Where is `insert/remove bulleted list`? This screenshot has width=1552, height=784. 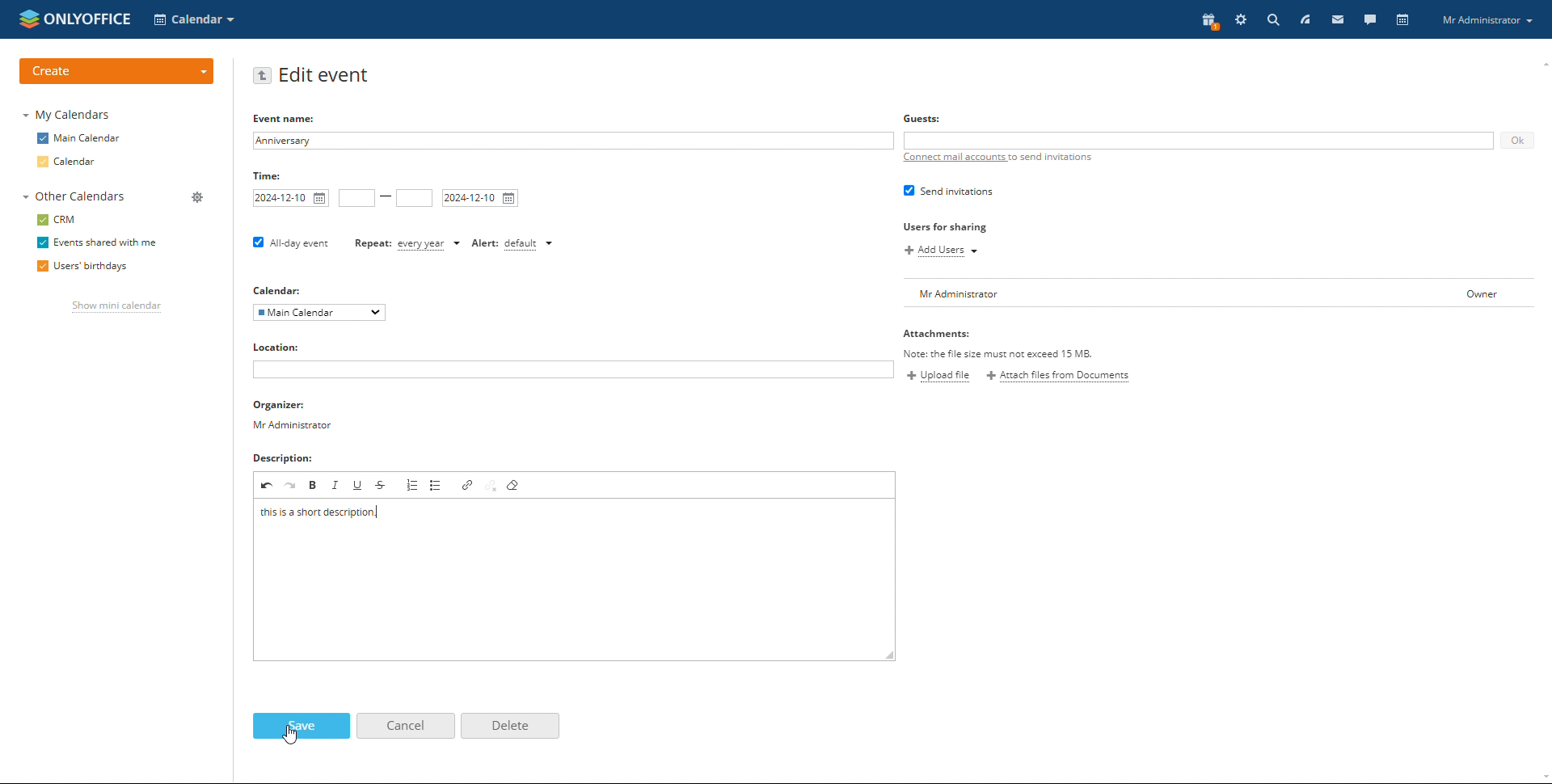 insert/remove bulleted list is located at coordinates (436, 484).